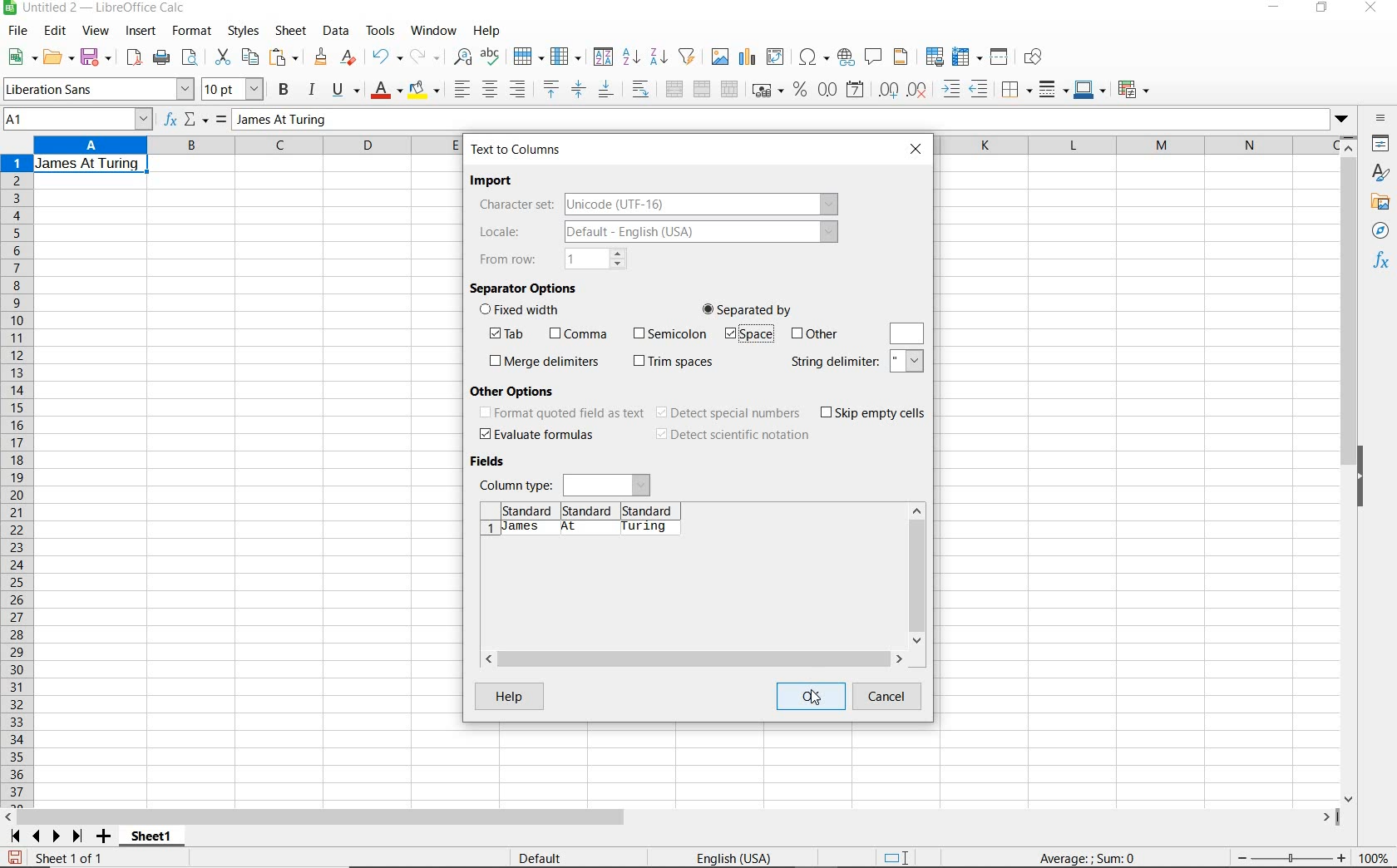 Image resolution: width=1397 pixels, height=868 pixels. Describe the element at coordinates (1381, 230) in the screenshot. I see `navigator` at that location.